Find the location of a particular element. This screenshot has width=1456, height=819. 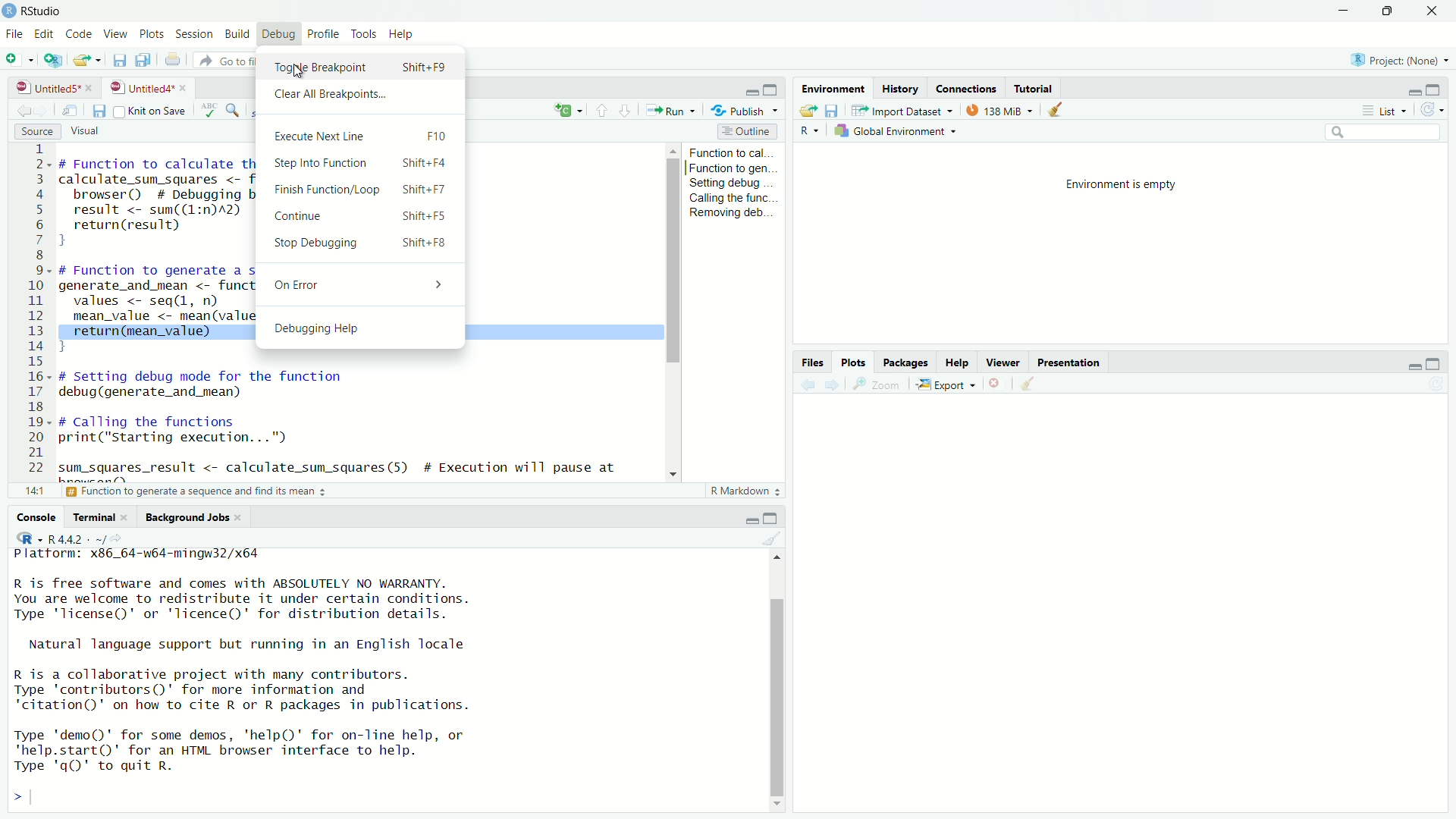

save all open documents is located at coordinates (145, 61).